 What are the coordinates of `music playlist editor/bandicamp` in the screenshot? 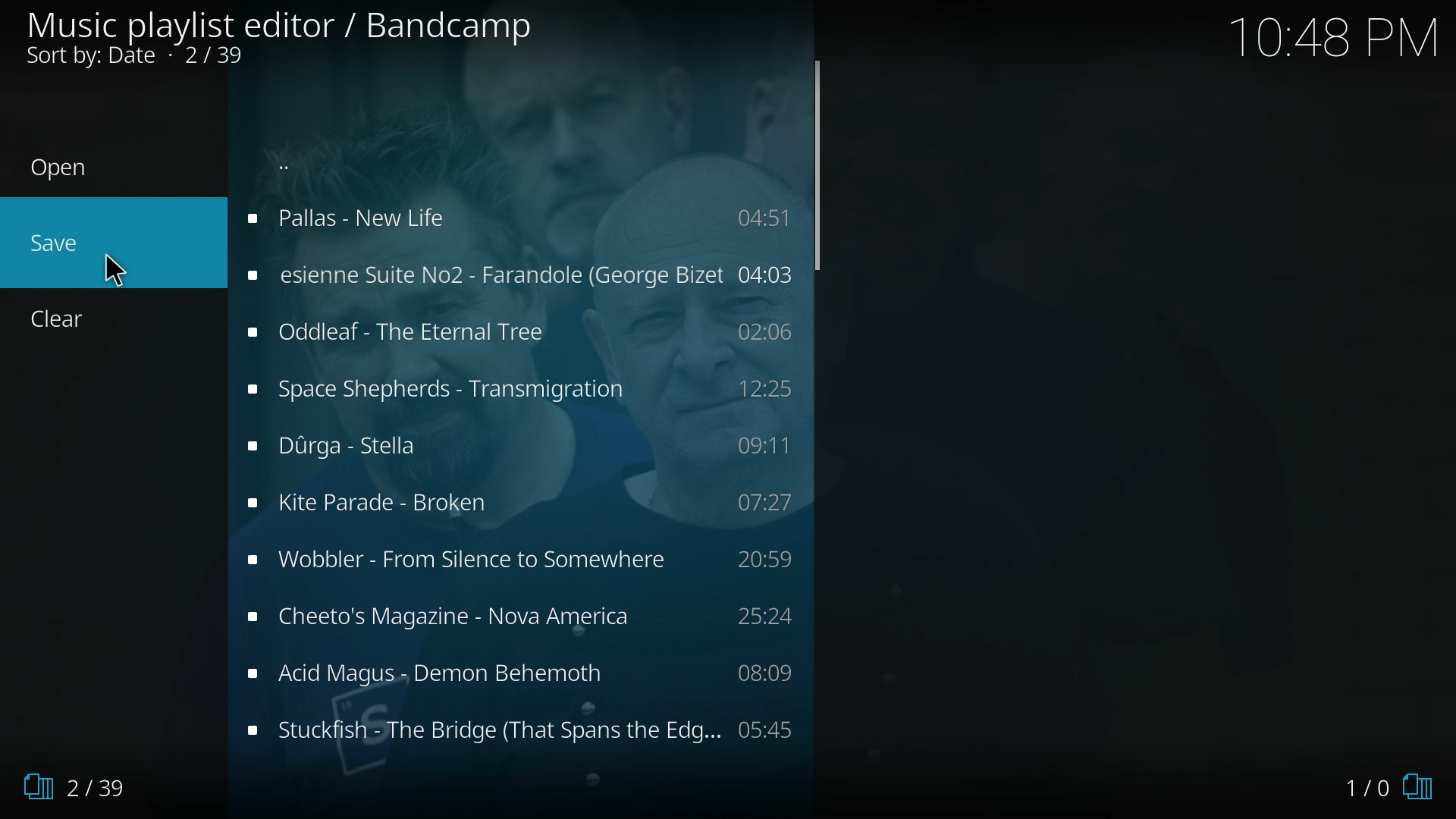 It's located at (284, 36).